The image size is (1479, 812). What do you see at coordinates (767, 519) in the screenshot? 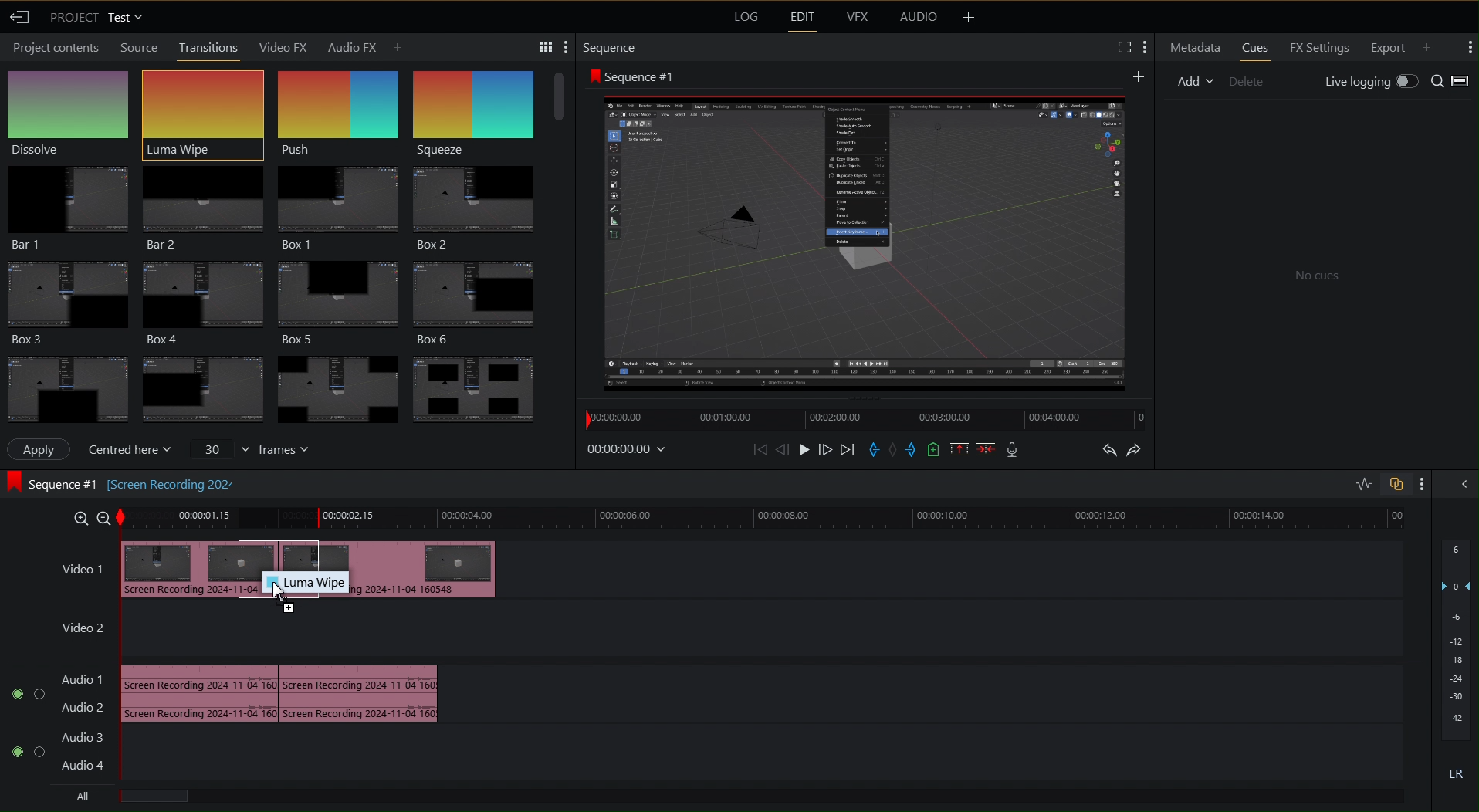
I see `Timeline` at bounding box center [767, 519].